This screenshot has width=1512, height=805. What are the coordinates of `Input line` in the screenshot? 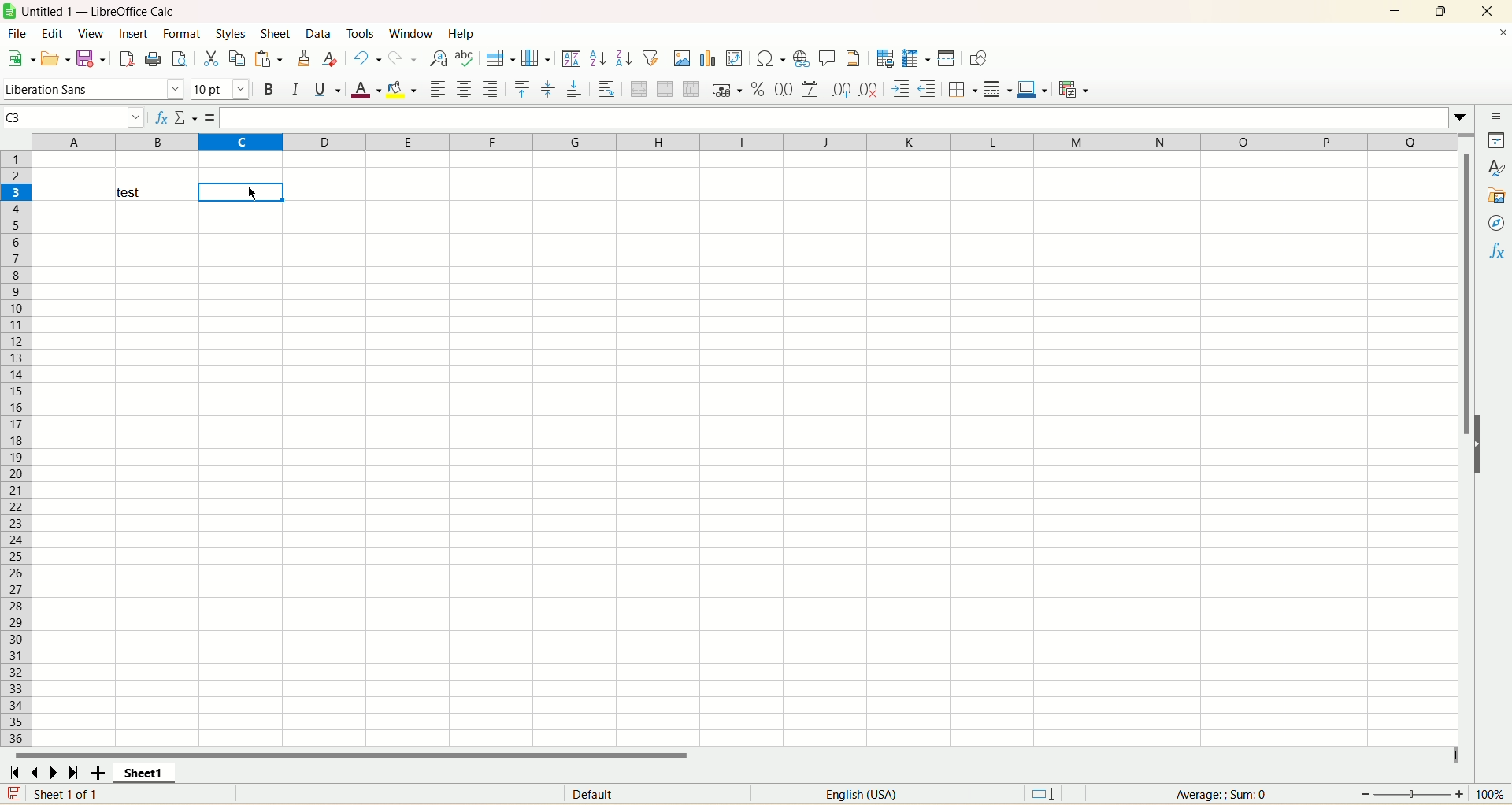 It's located at (836, 118).